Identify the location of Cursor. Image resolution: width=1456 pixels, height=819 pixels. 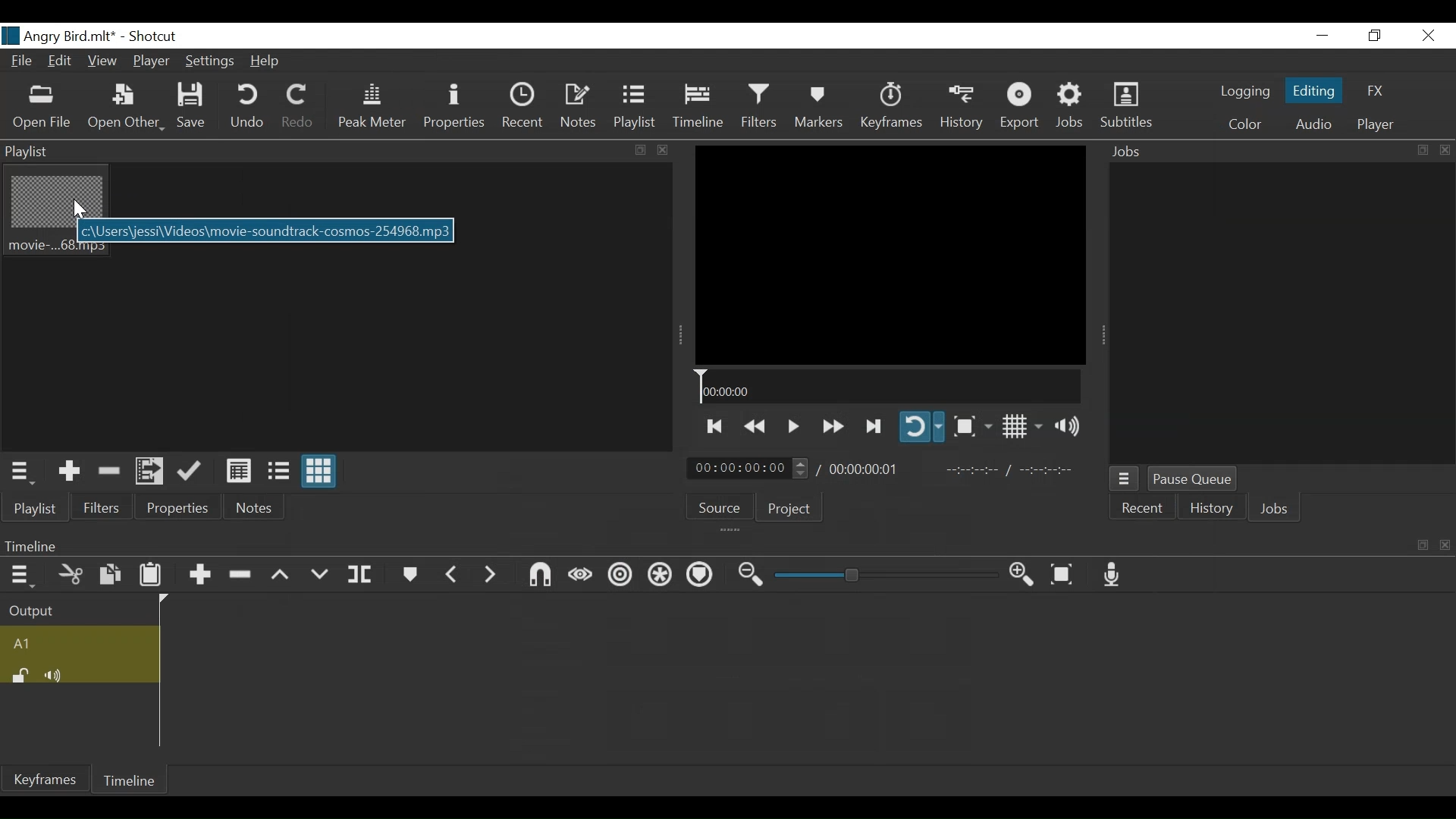
(77, 210).